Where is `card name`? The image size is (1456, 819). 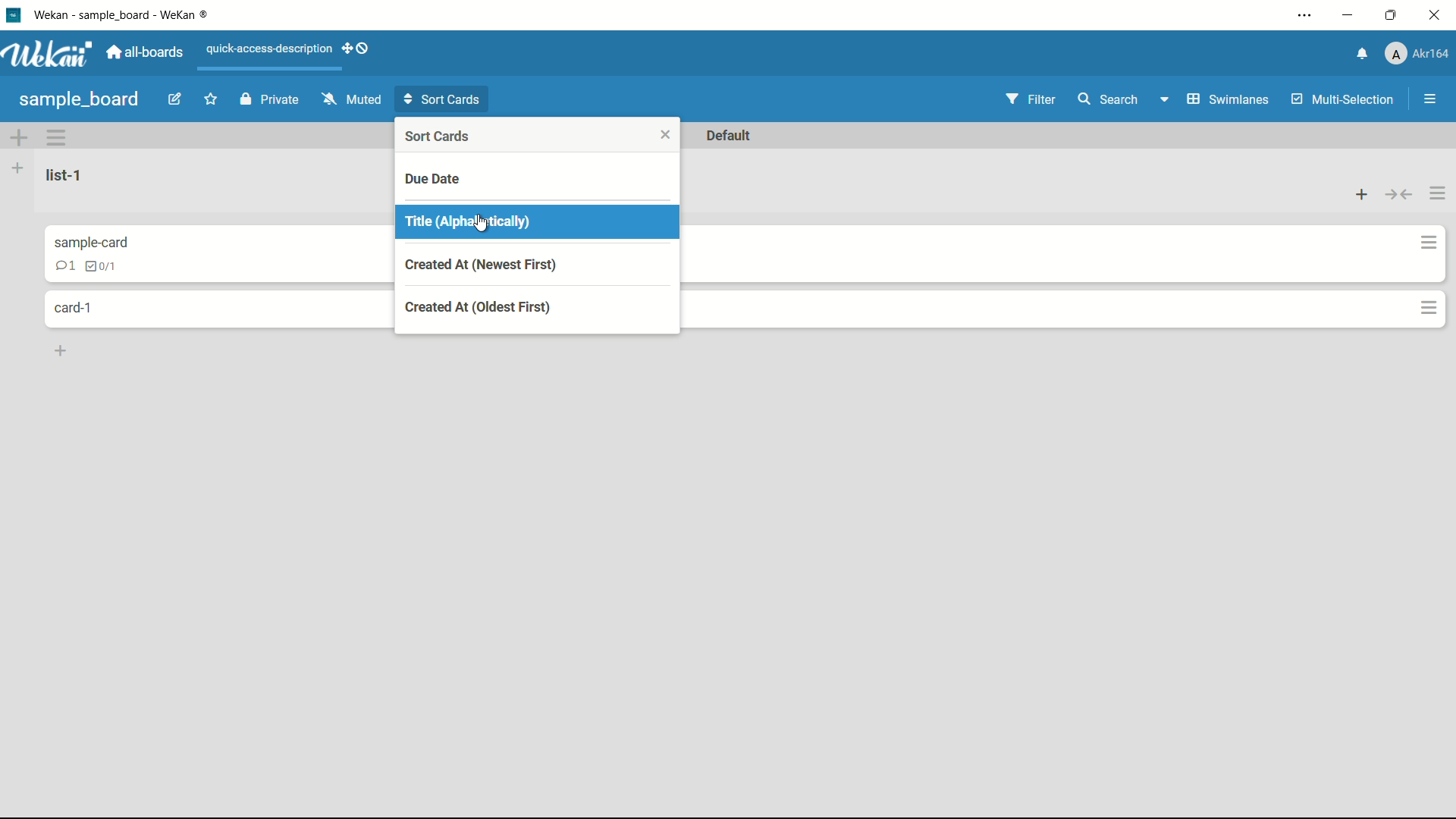
card name is located at coordinates (79, 308).